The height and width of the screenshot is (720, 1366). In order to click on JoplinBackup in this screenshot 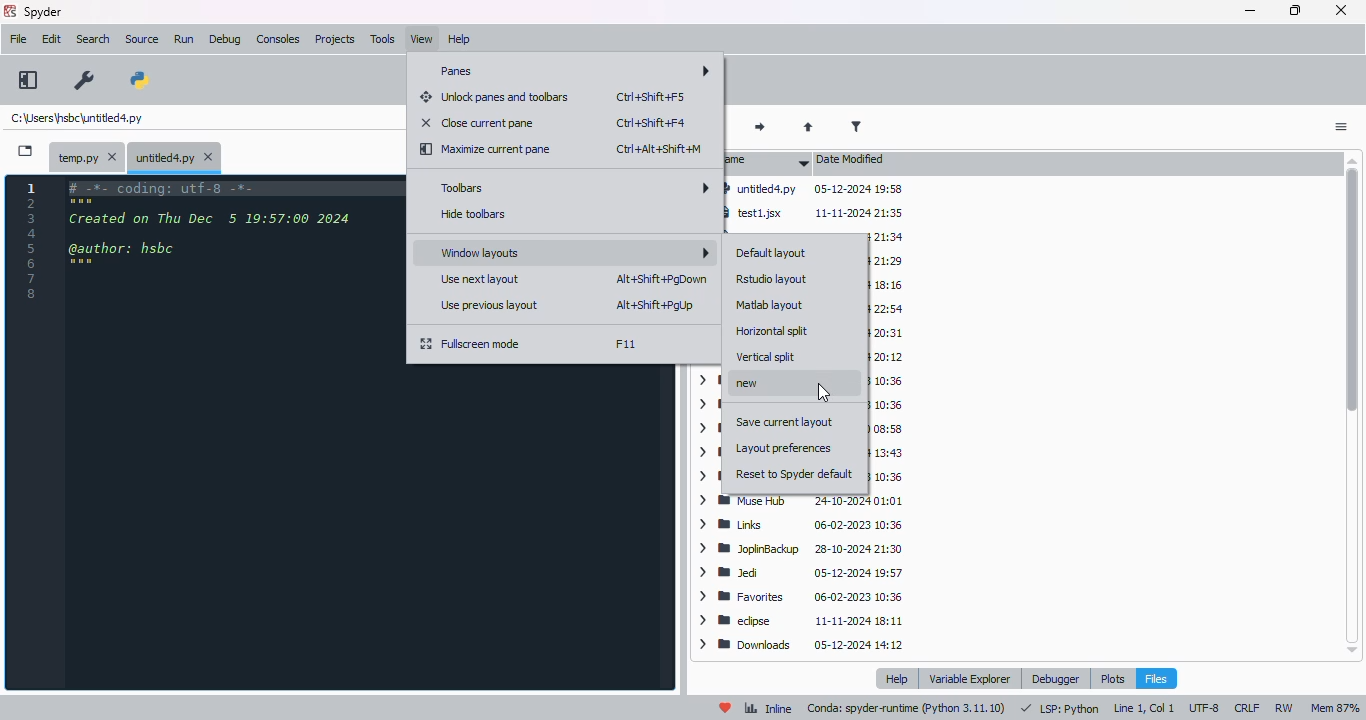, I will do `click(804, 551)`.